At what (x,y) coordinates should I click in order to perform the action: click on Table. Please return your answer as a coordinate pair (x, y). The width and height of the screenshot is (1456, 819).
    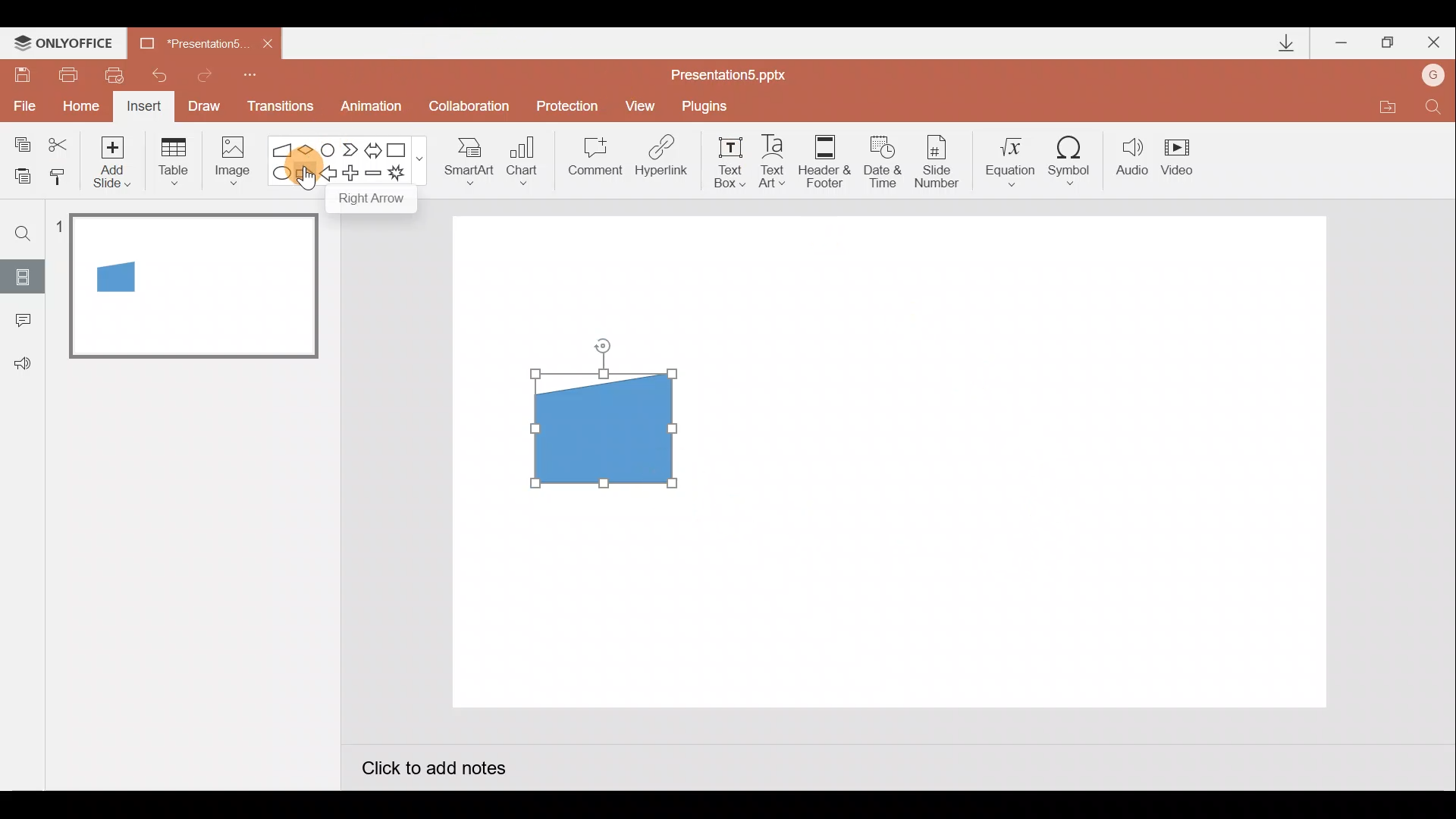
    Looking at the image, I should click on (172, 160).